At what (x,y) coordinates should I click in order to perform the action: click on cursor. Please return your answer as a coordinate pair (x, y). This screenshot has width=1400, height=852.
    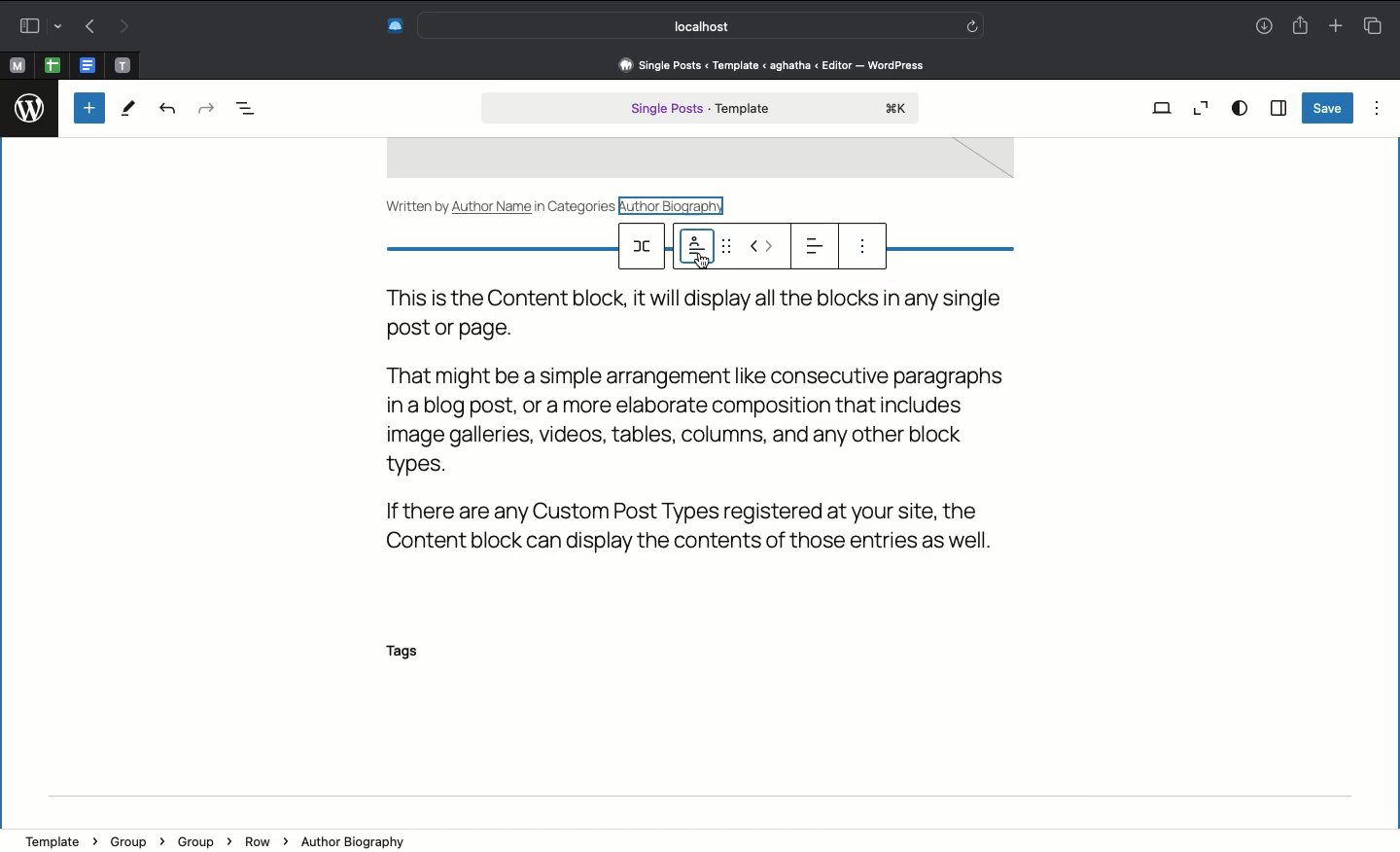
    Looking at the image, I should click on (703, 263).